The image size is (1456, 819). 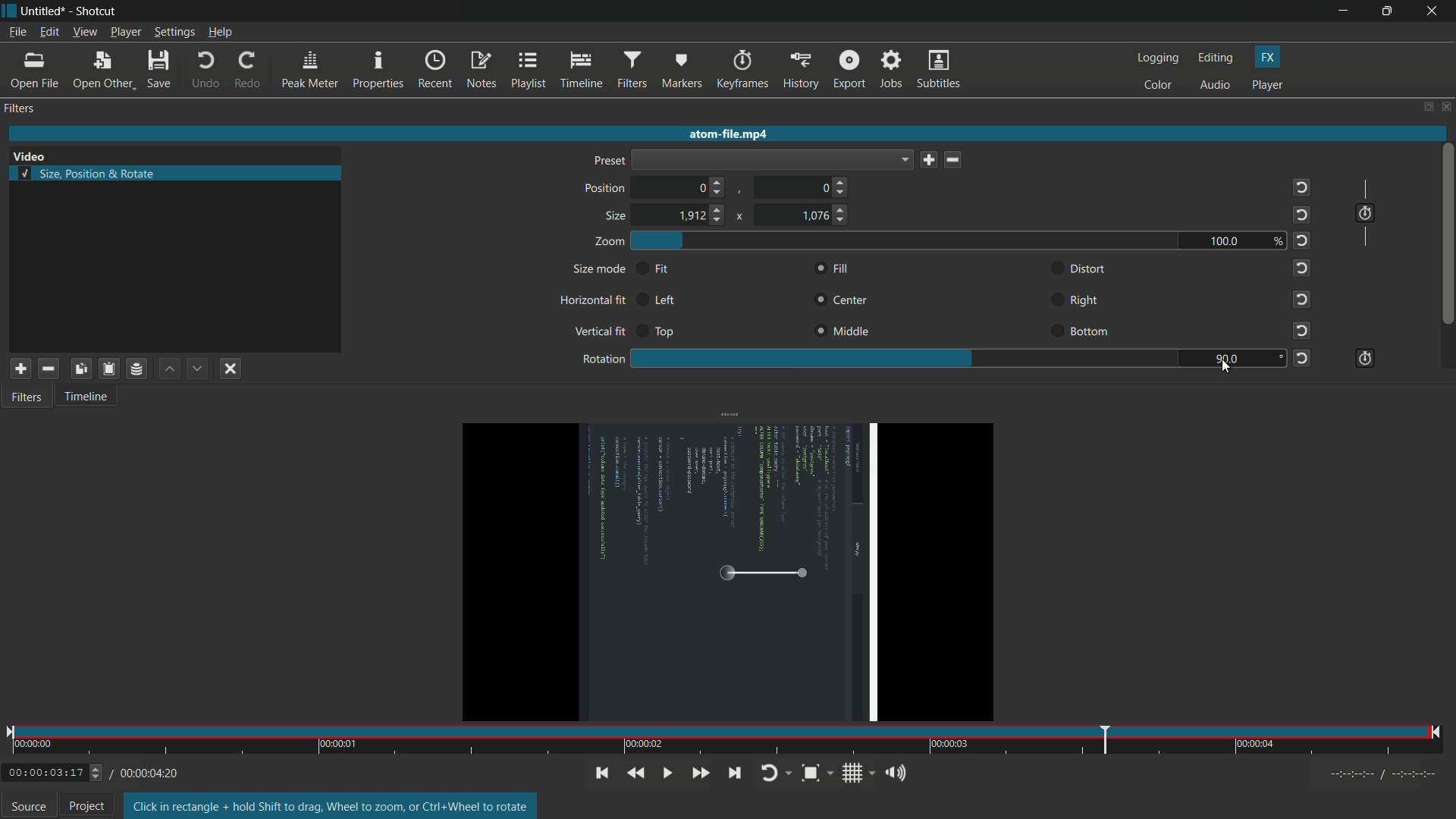 I want to click on 1912 (choose size), so click(x=702, y=215).